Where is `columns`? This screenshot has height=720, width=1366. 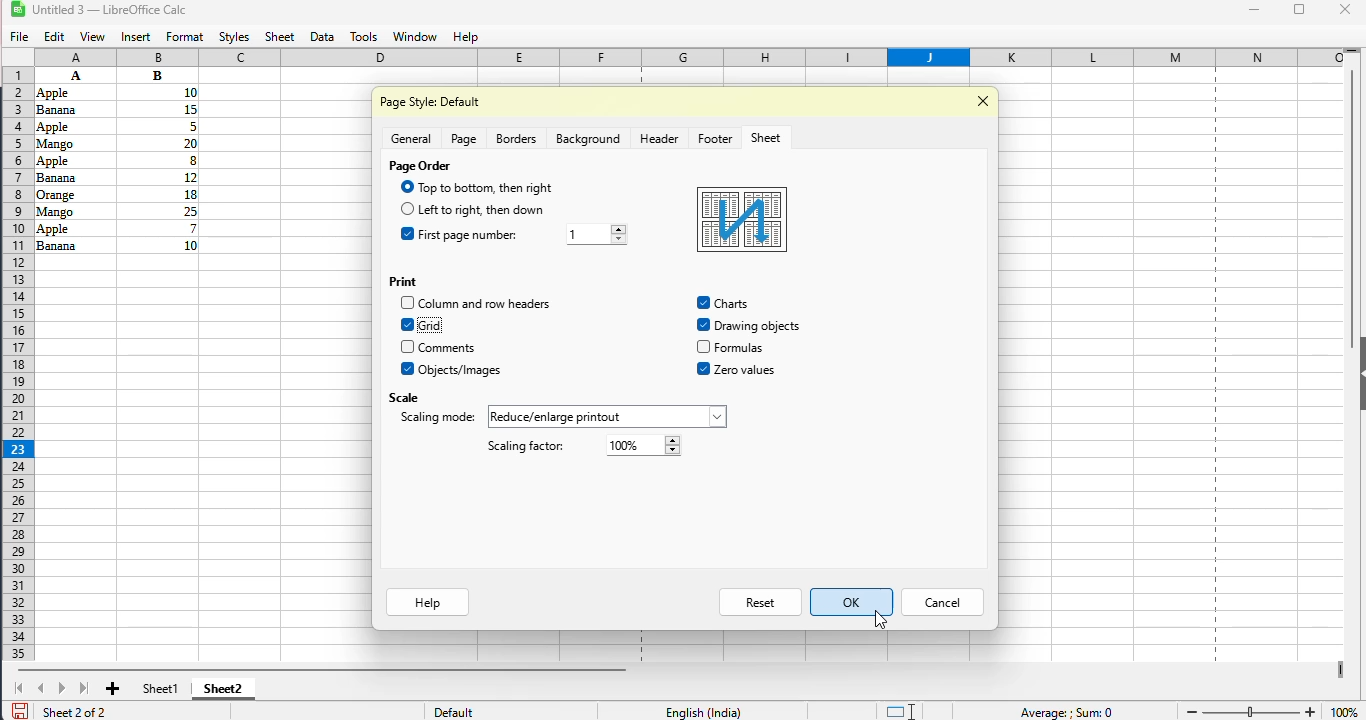
columns is located at coordinates (692, 57).